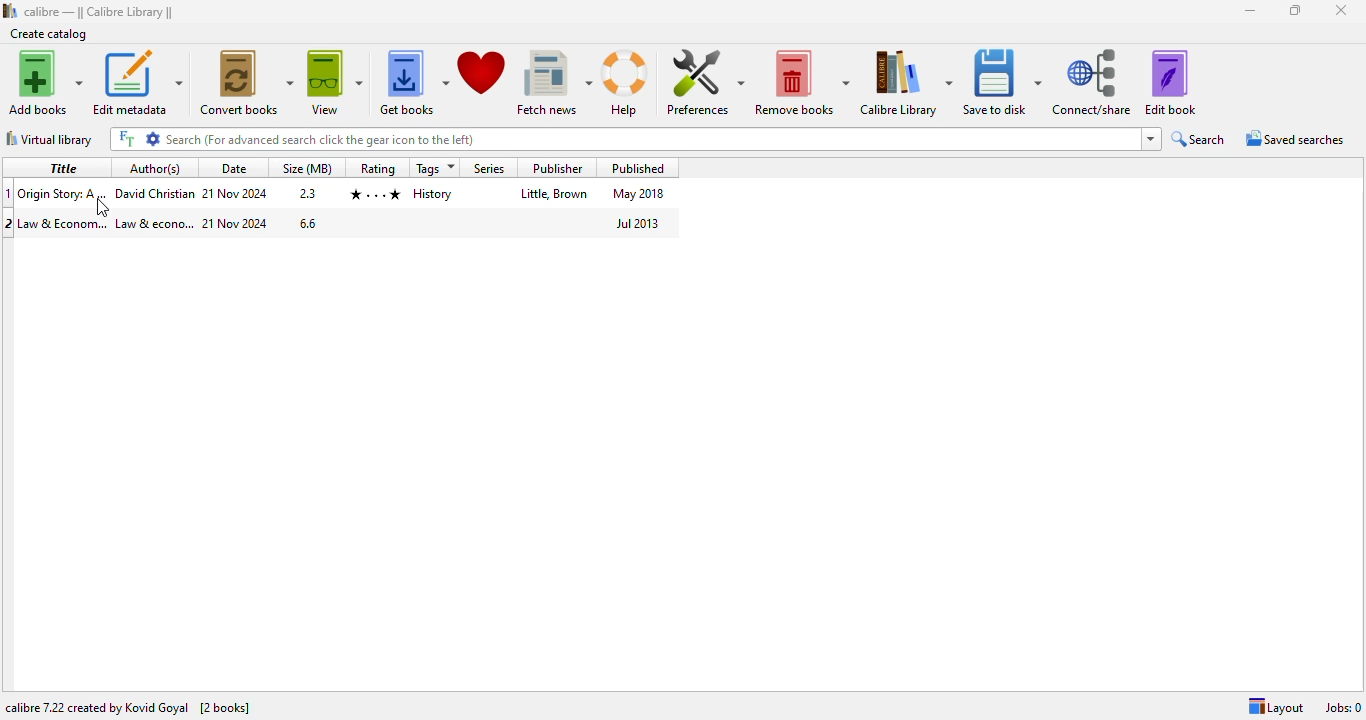  I want to click on author, so click(155, 224).